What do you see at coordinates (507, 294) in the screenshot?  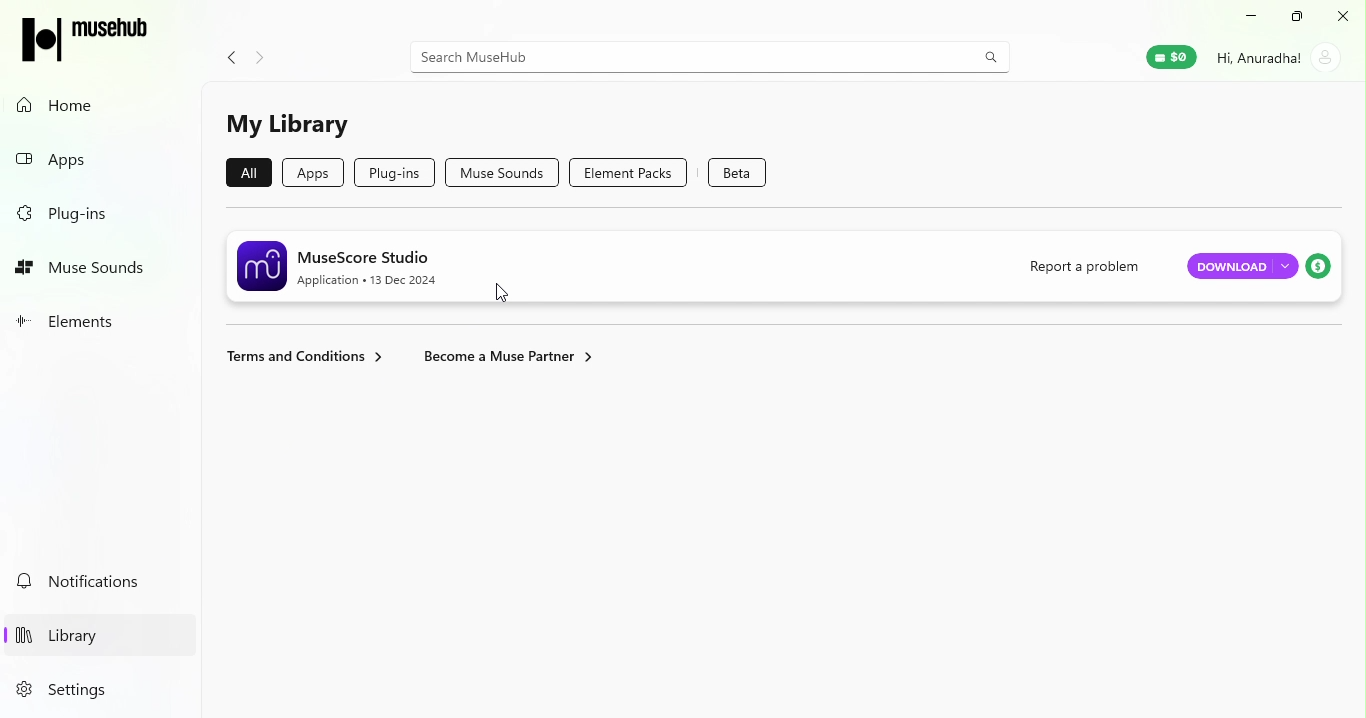 I see `cursor` at bounding box center [507, 294].